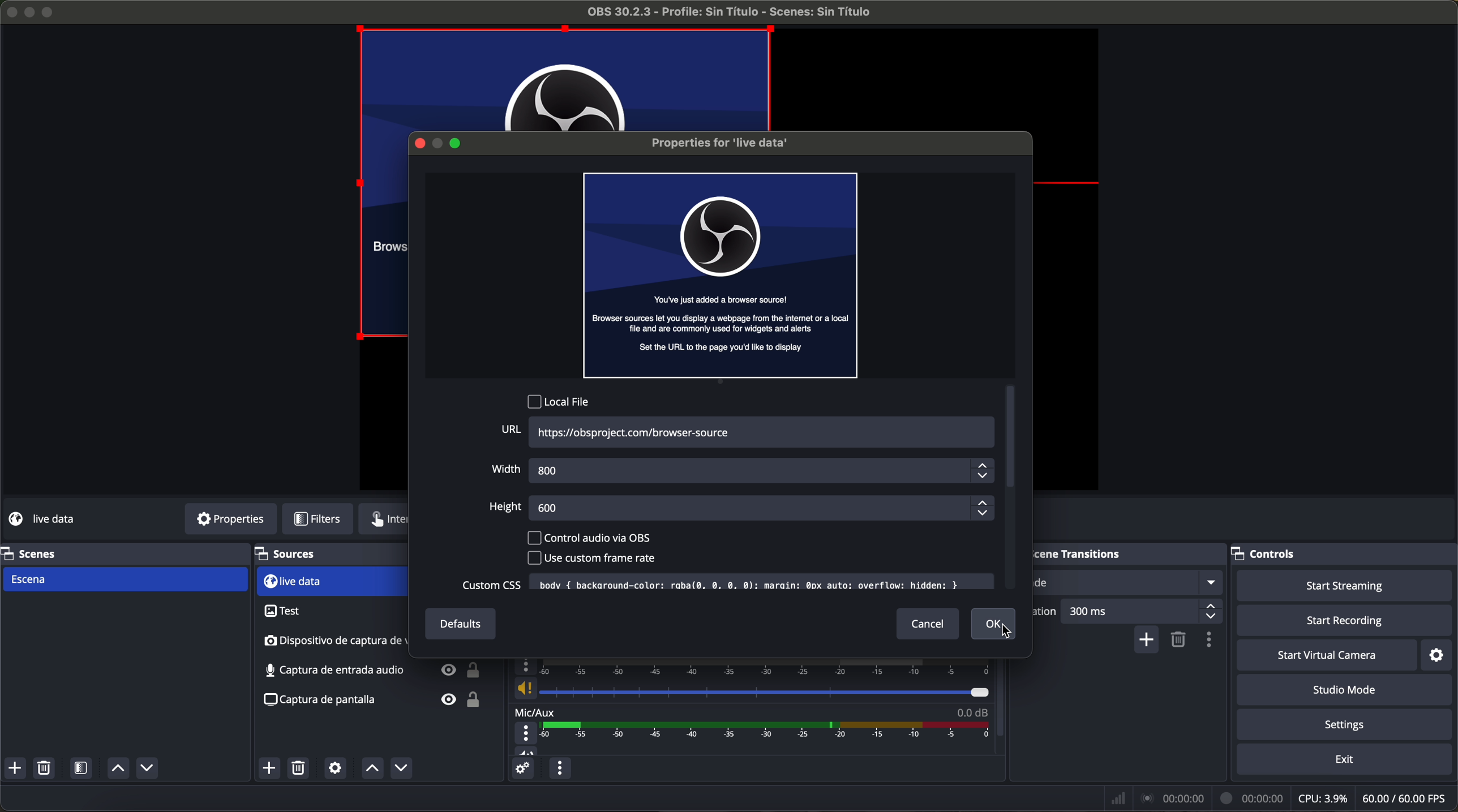  I want to click on interface, so click(387, 519).